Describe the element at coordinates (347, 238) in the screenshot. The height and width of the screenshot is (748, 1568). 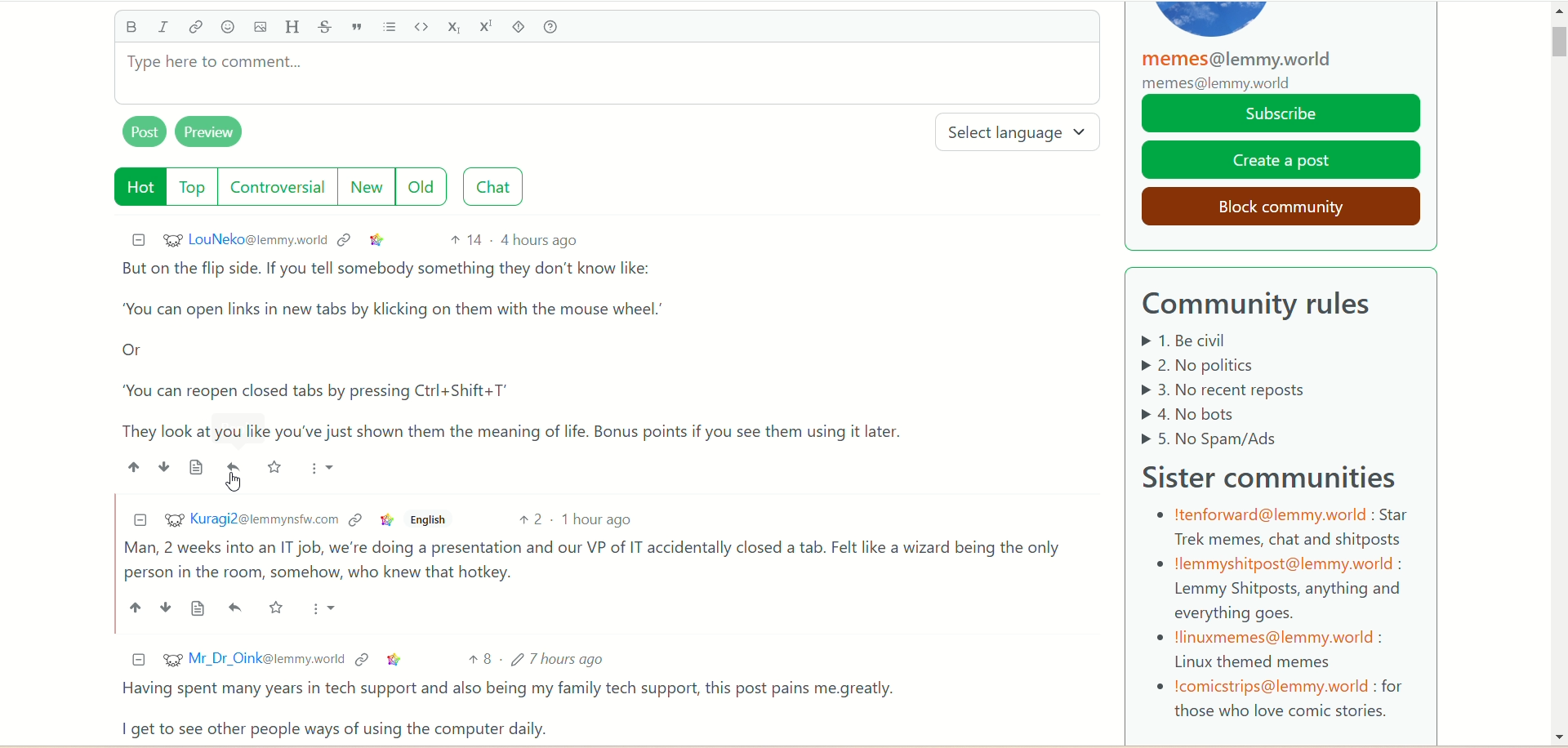
I see `context` at that location.